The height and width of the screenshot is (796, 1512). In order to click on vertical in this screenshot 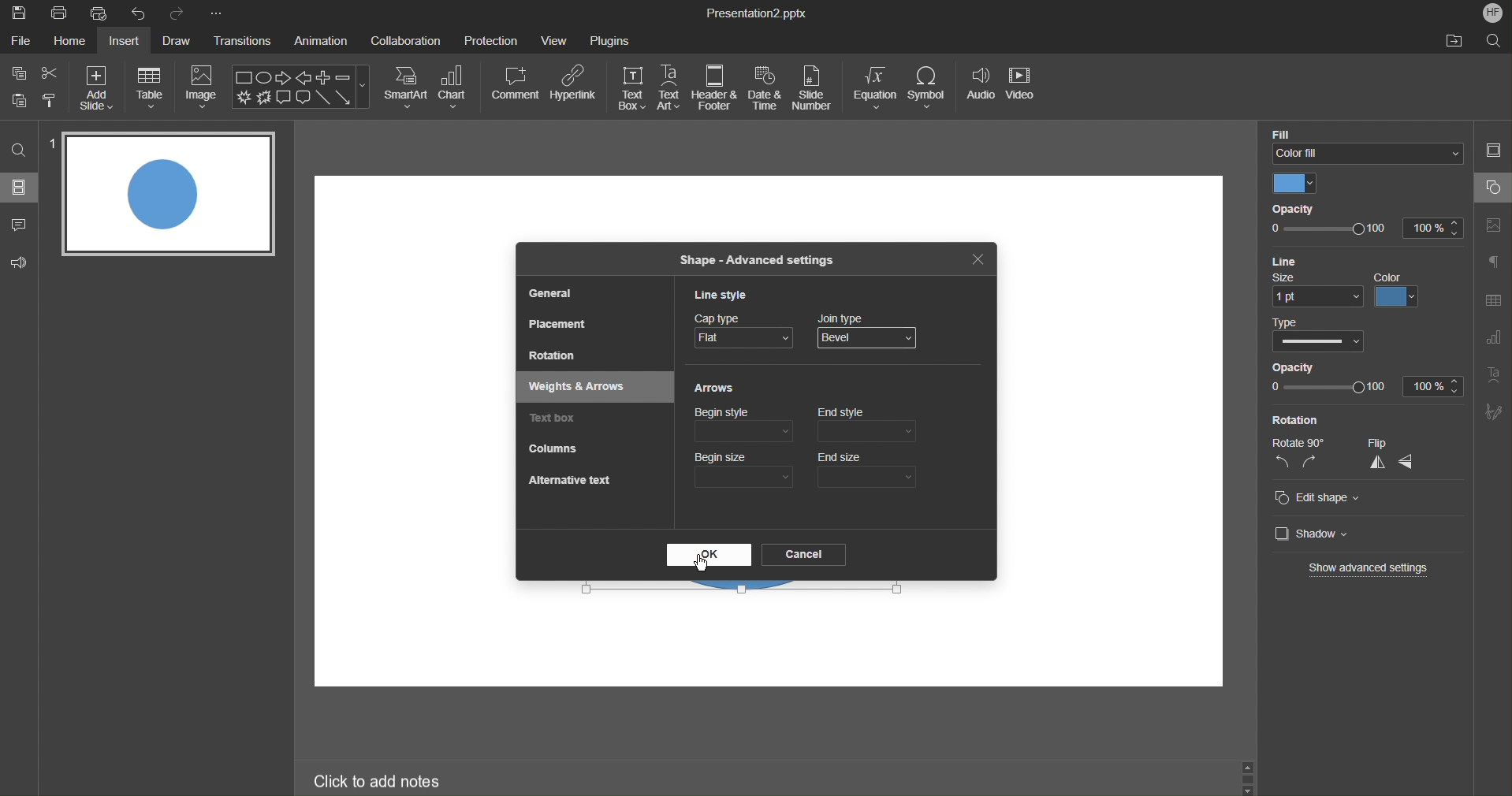, I will do `click(1376, 464)`.